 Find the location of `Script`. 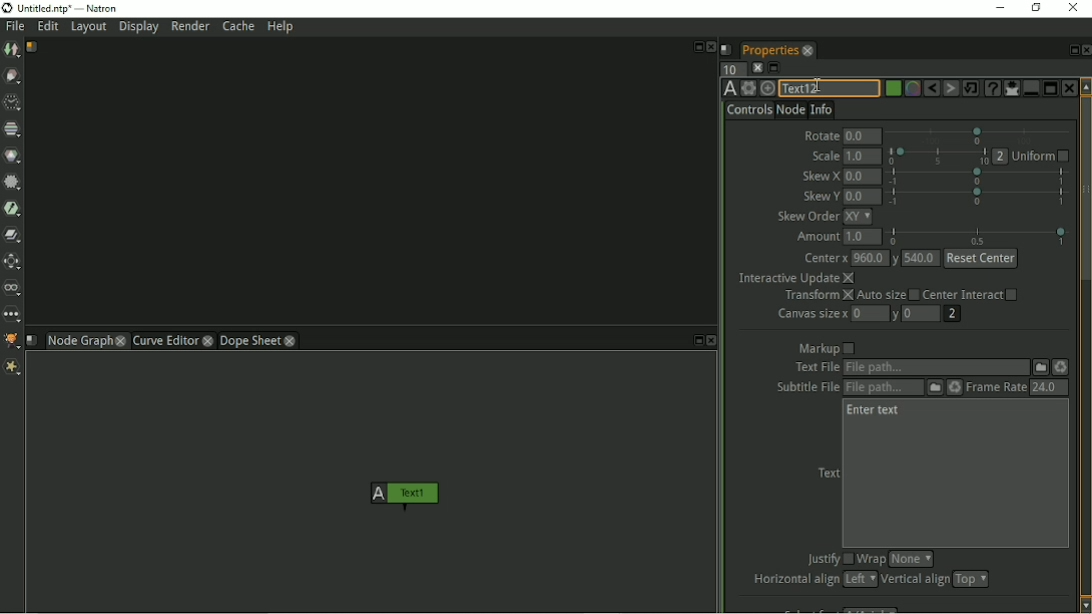

Script is located at coordinates (727, 49).